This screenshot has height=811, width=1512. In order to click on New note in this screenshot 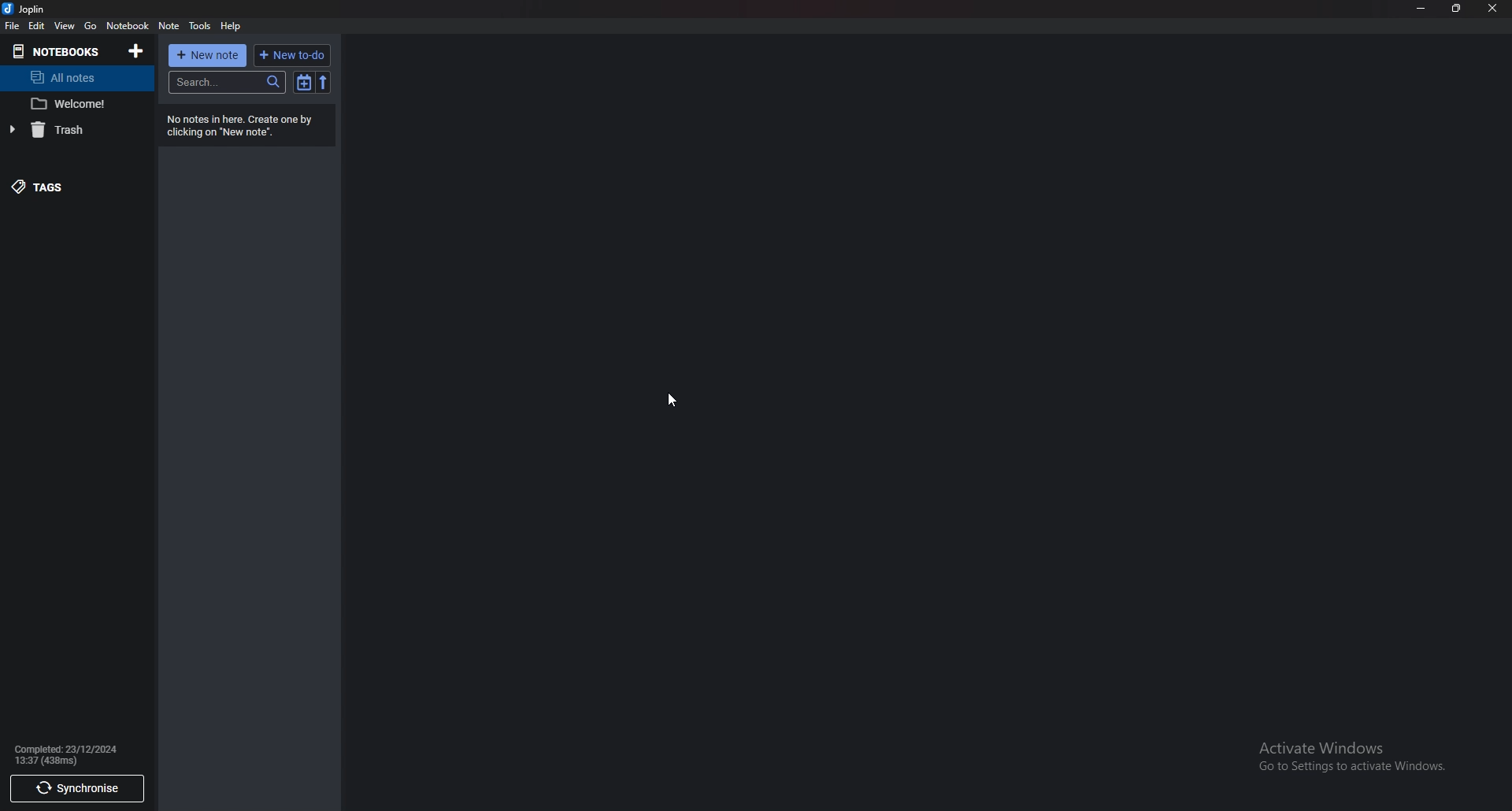, I will do `click(209, 56)`.